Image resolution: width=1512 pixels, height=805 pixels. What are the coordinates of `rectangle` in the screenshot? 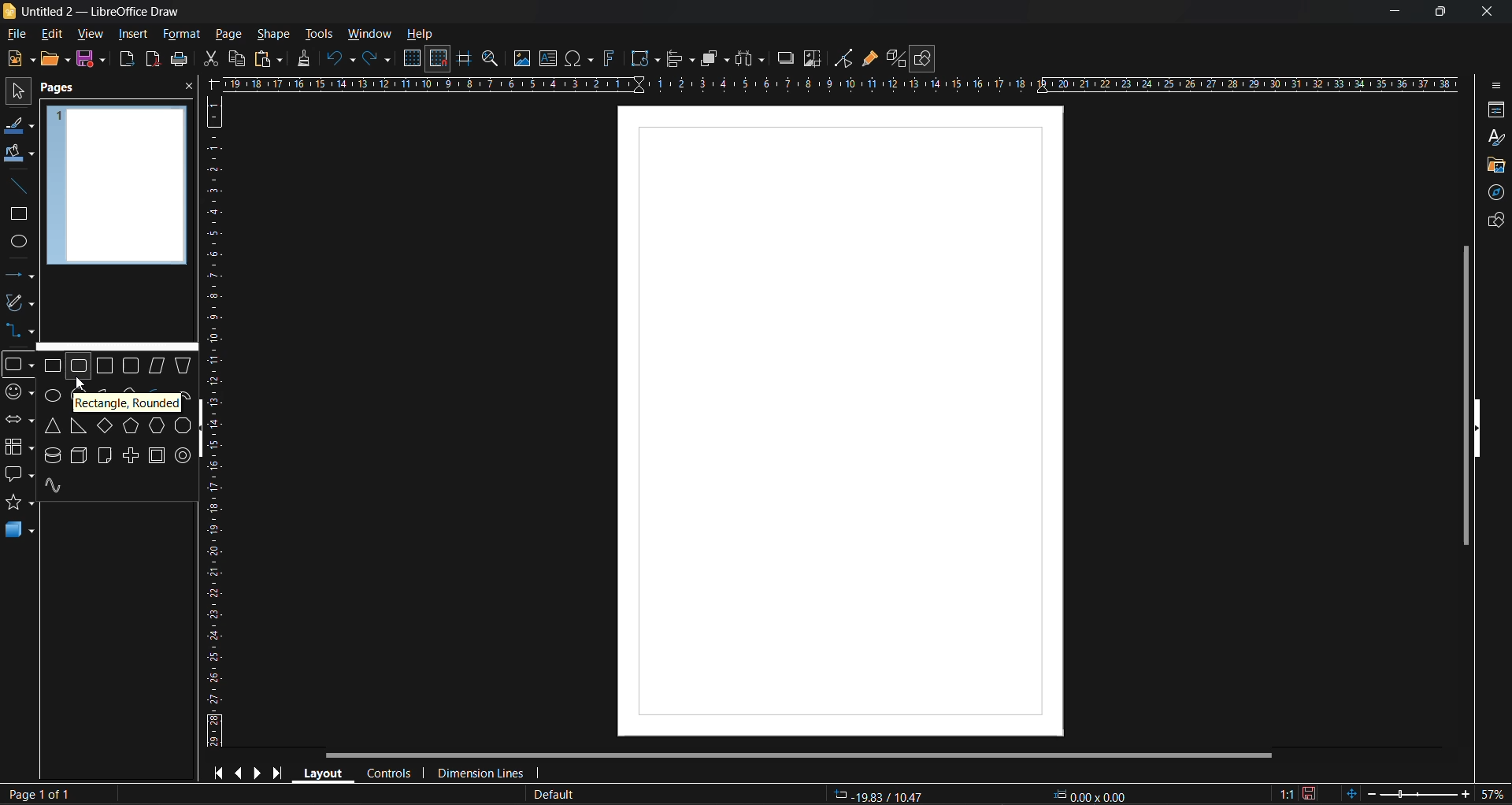 It's located at (54, 366).